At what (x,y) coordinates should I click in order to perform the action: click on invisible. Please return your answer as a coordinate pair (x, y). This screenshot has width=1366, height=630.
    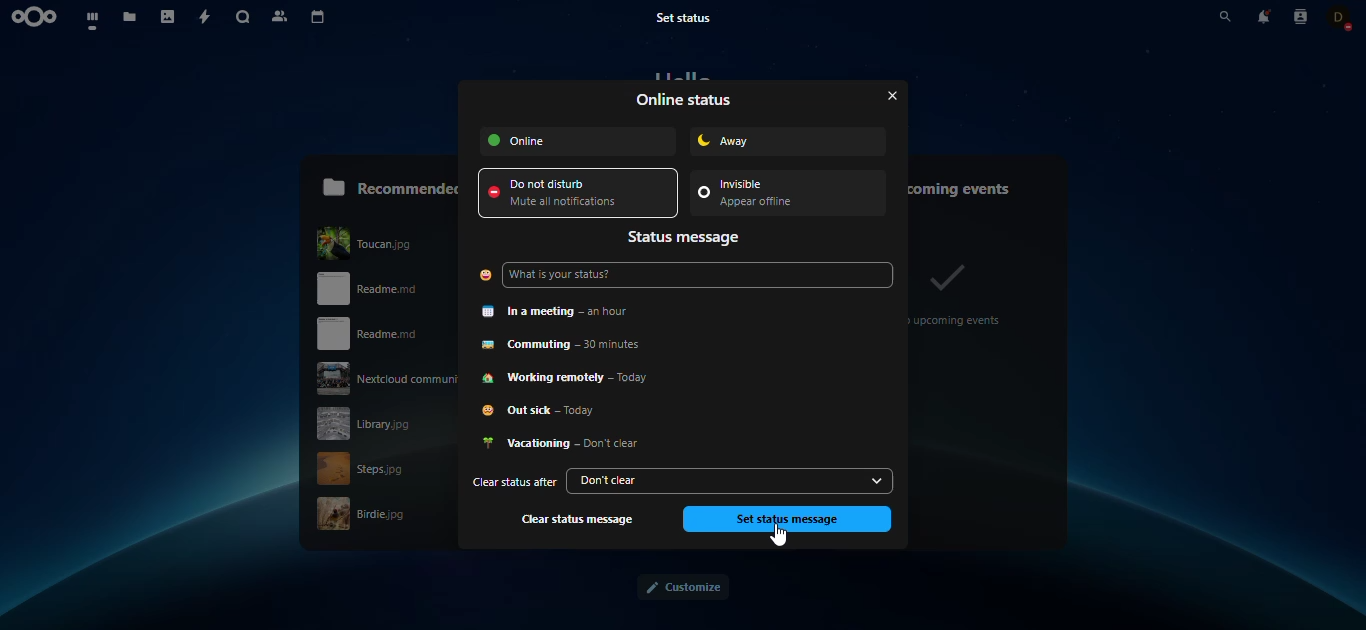
    Looking at the image, I should click on (775, 195).